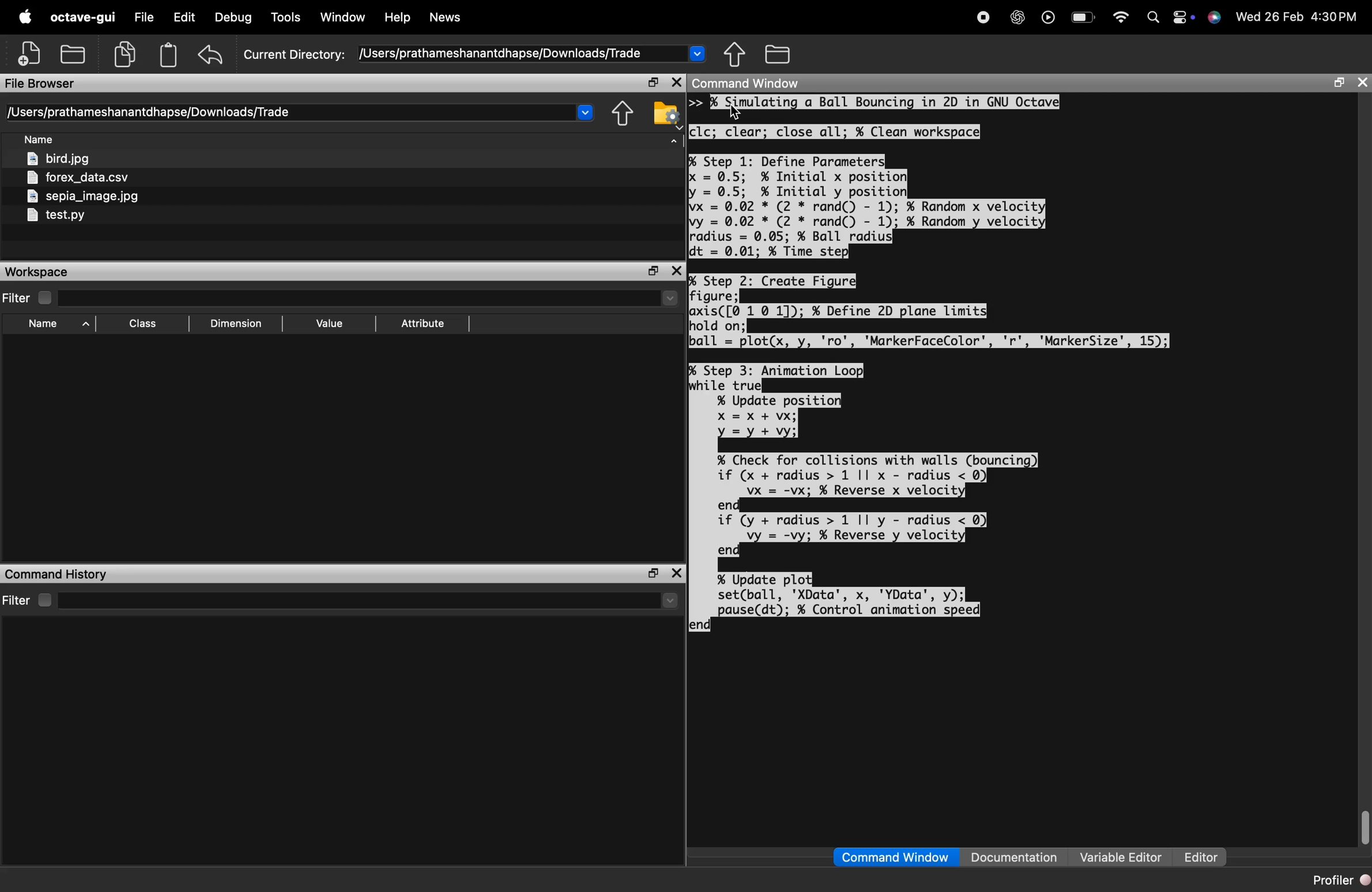 This screenshot has height=892, width=1372. What do you see at coordinates (24, 16) in the screenshot?
I see `apple` at bounding box center [24, 16].